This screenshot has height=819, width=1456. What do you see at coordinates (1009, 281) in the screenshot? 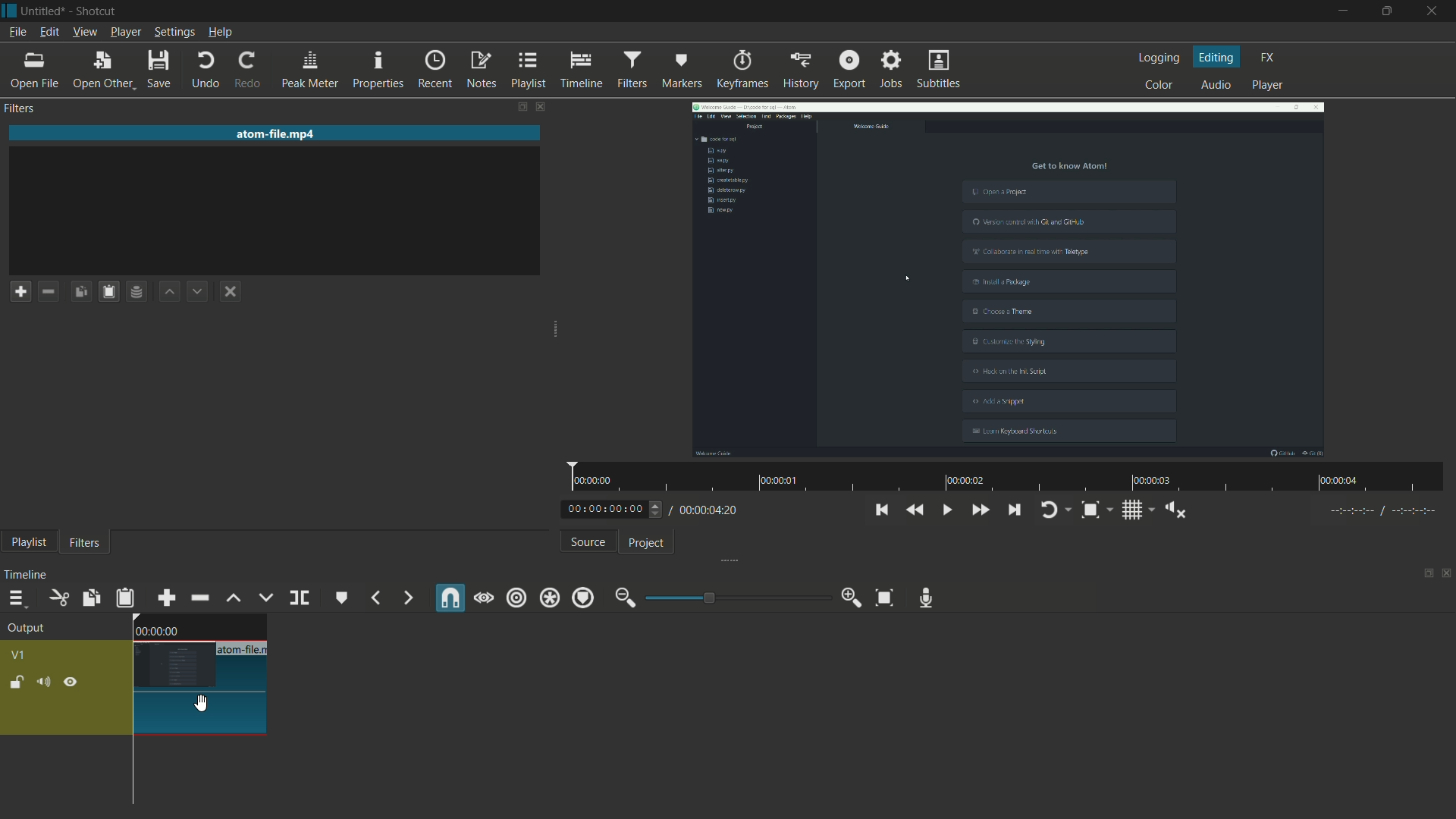
I see `imported video` at bounding box center [1009, 281].